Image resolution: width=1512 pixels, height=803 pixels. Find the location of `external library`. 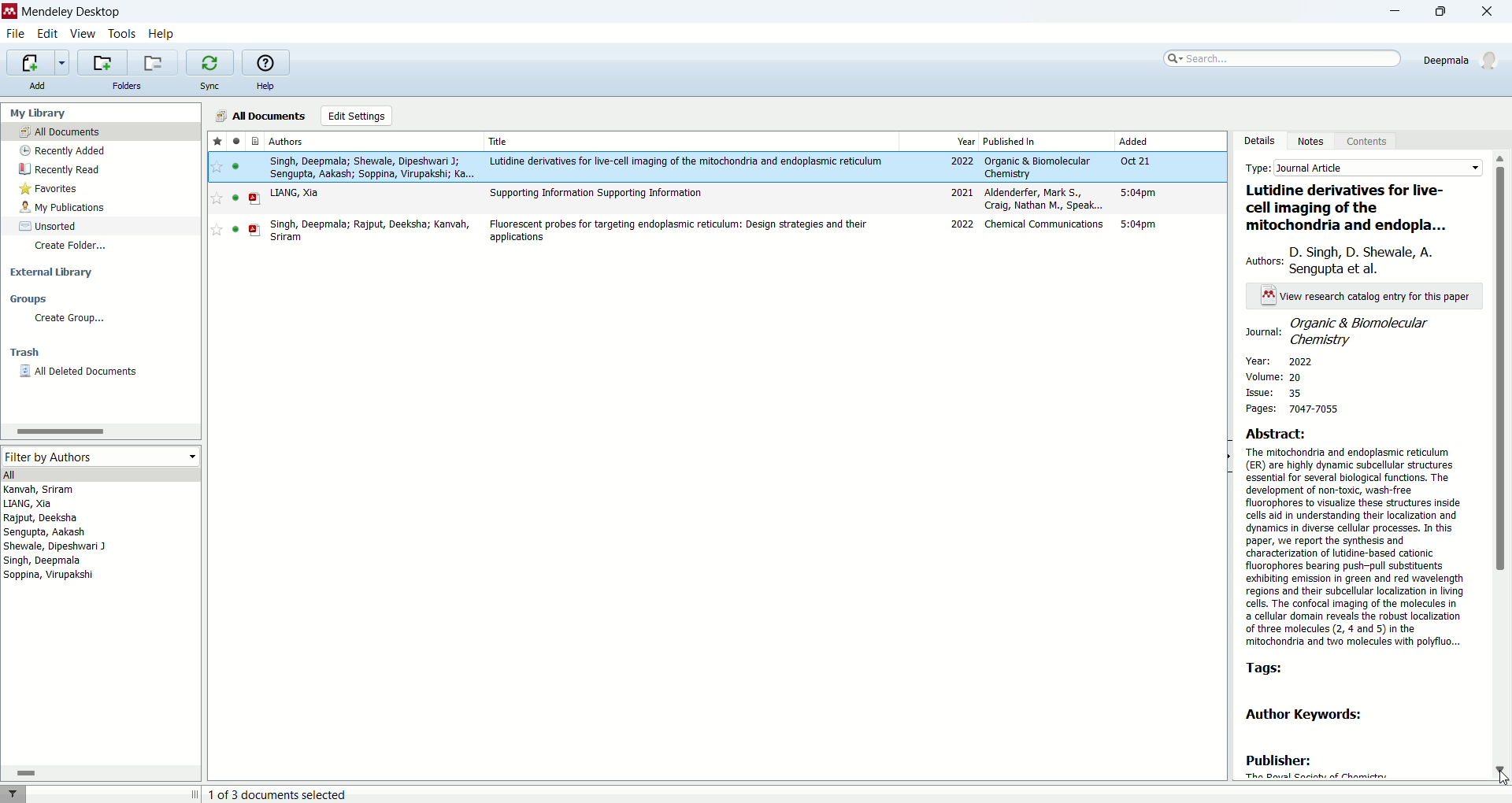

external library is located at coordinates (52, 272).